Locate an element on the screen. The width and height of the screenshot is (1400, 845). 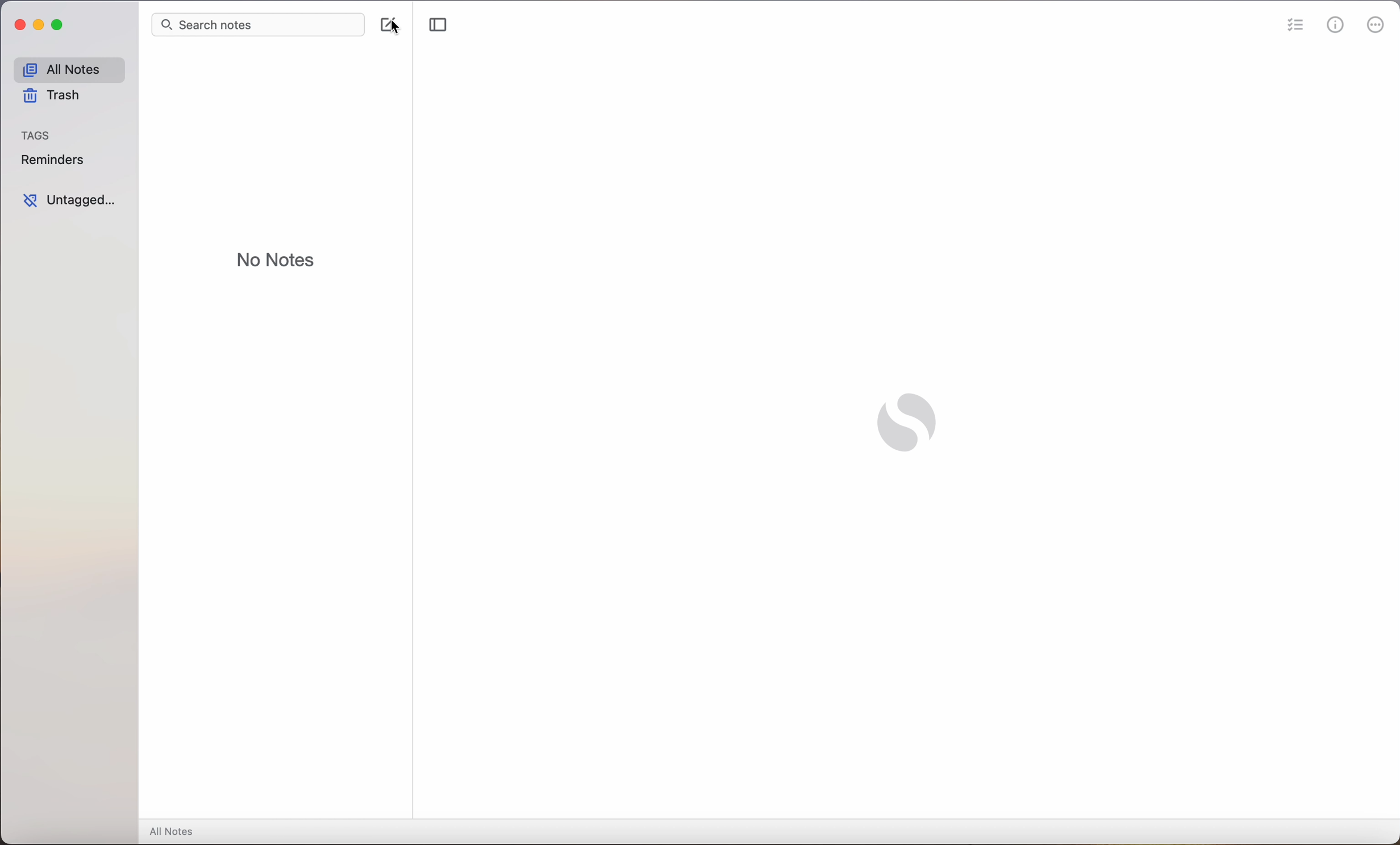
tags is located at coordinates (37, 136).